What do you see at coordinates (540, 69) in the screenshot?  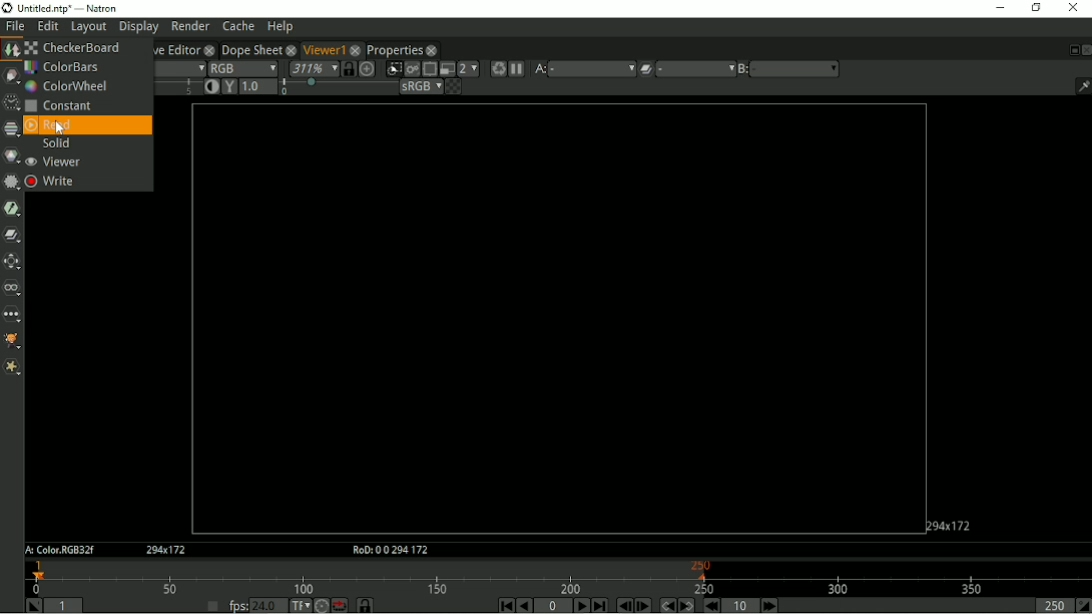 I see `A` at bounding box center [540, 69].